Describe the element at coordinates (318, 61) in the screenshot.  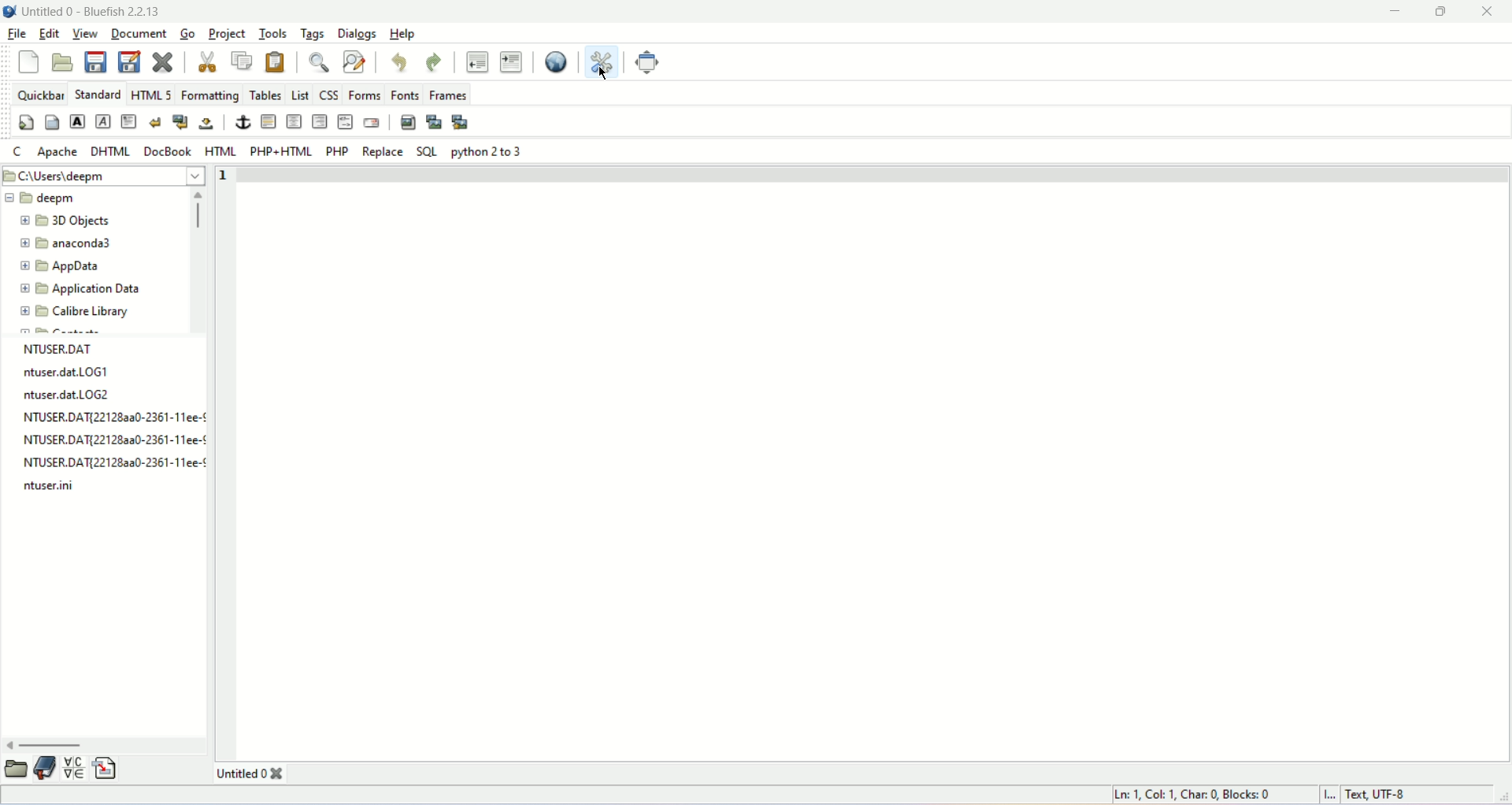
I see `show find bar` at that location.